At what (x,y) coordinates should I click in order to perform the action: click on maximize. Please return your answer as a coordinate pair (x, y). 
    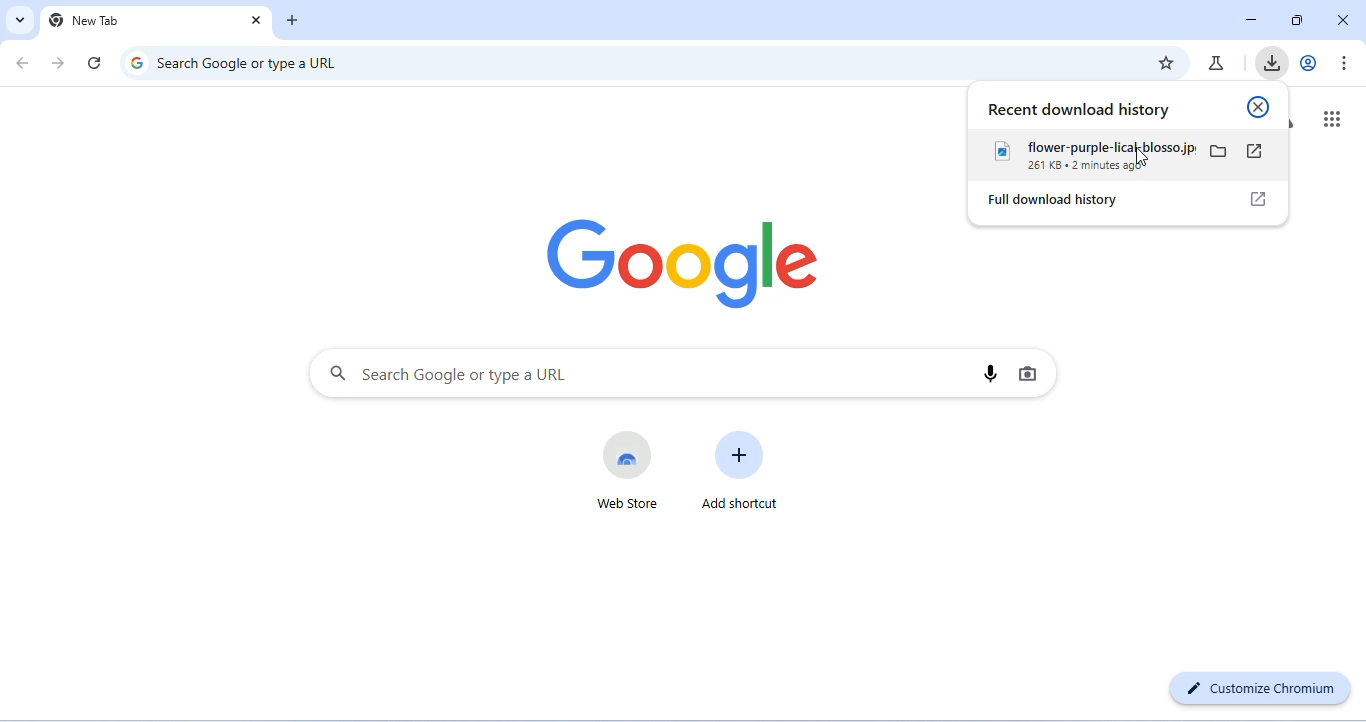
    Looking at the image, I should click on (1297, 21).